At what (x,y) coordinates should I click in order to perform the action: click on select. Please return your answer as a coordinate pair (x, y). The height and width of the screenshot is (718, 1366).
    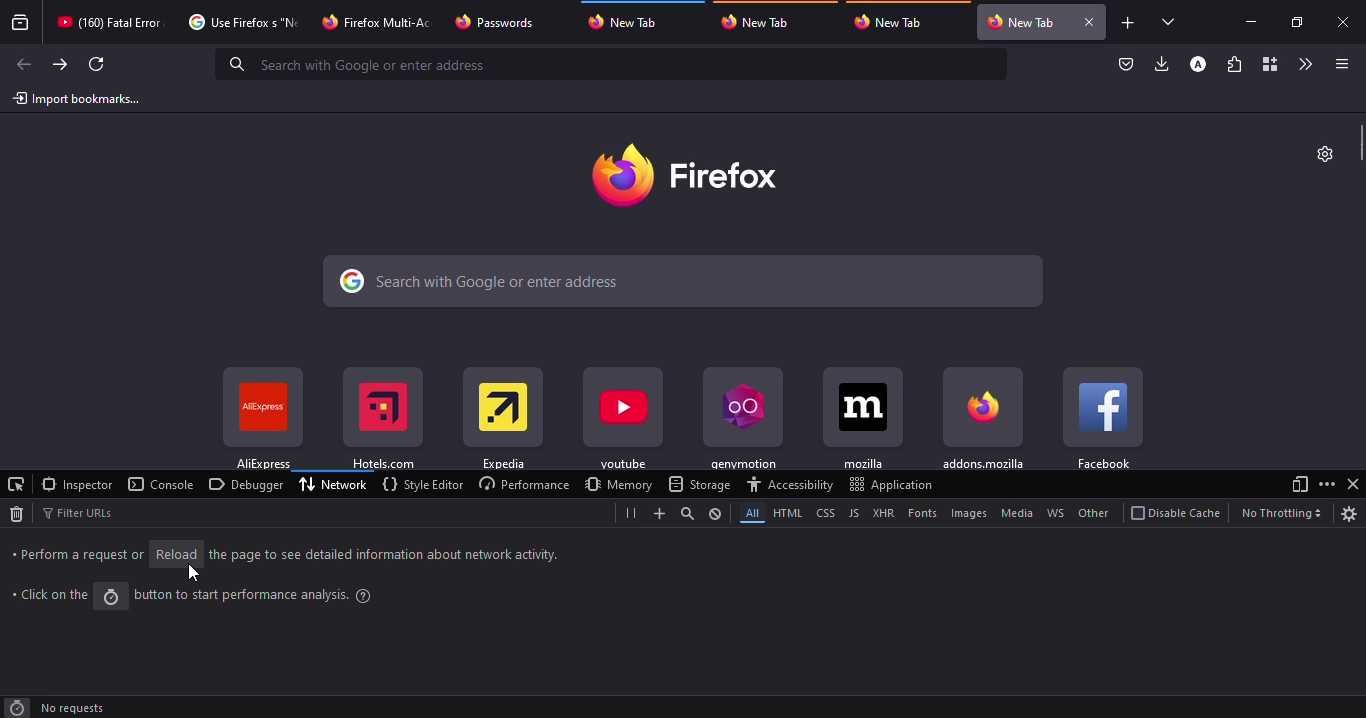
    Looking at the image, I should click on (1172, 22).